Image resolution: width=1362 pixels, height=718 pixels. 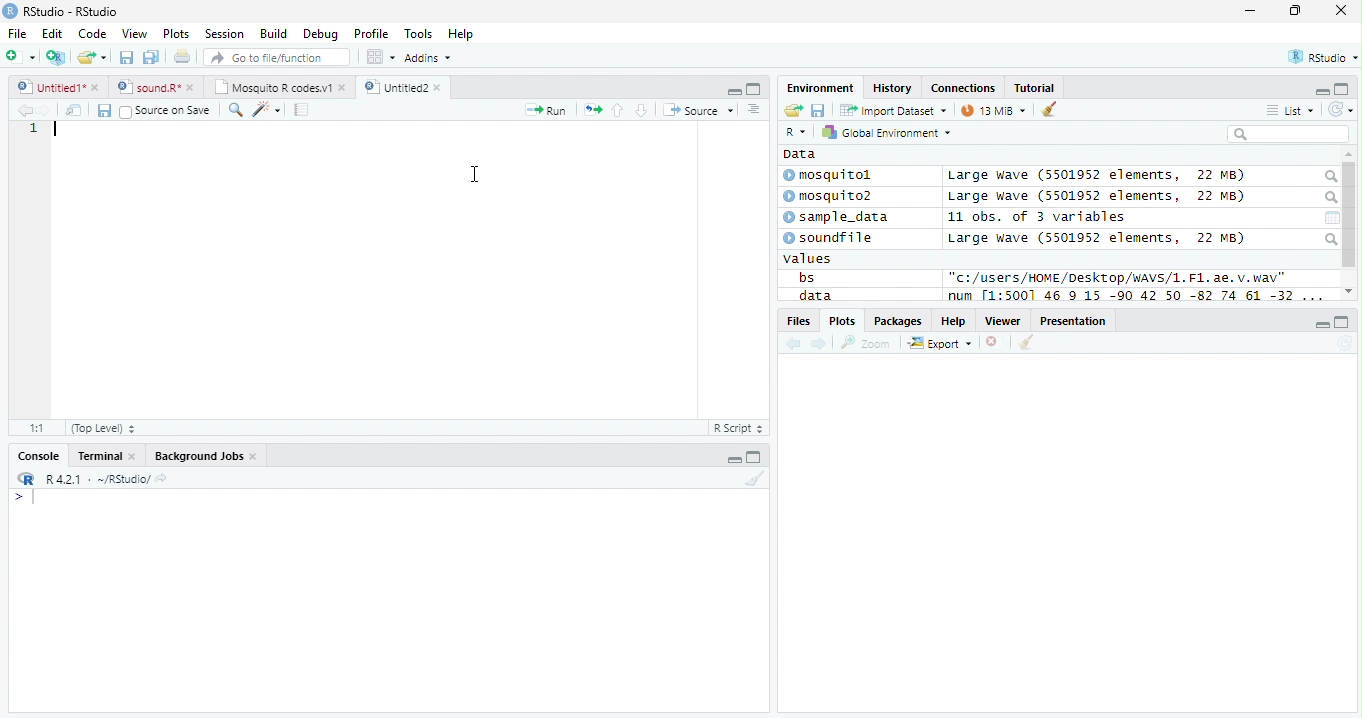 What do you see at coordinates (35, 455) in the screenshot?
I see `Console` at bounding box center [35, 455].